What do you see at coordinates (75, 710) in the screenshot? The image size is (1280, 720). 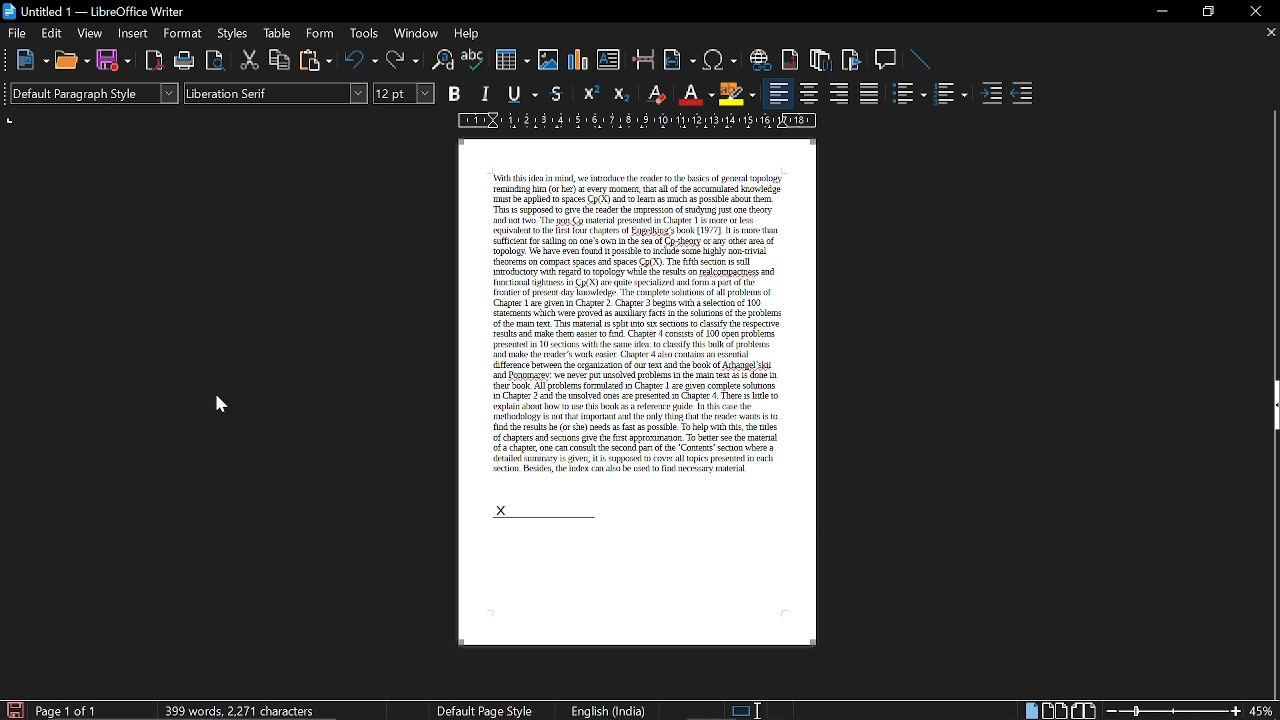 I see ` page 1 of 1` at bounding box center [75, 710].